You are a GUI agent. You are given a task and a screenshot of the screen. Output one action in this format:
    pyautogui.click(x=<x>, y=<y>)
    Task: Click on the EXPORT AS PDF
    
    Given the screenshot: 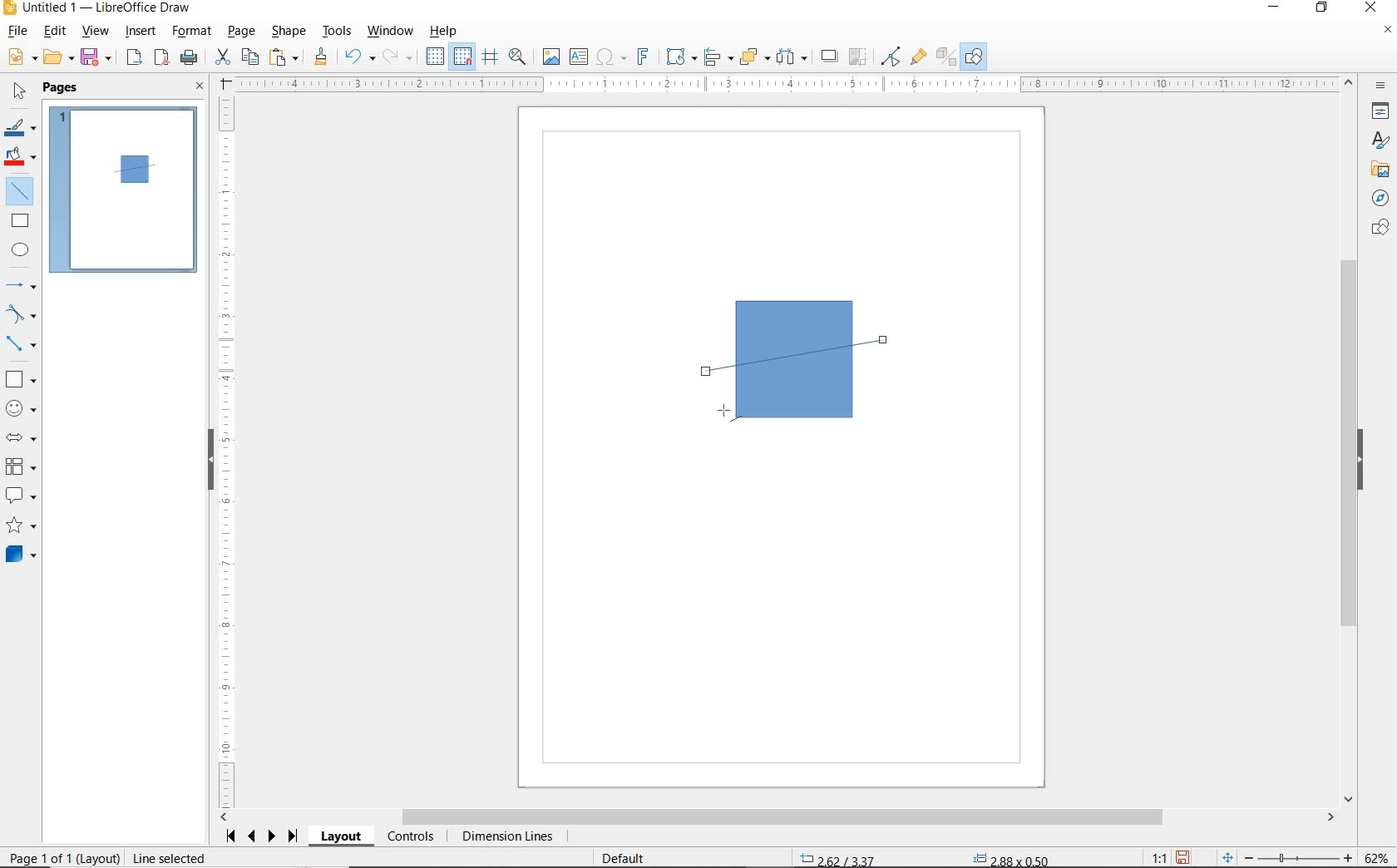 What is the action you would take?
    pyautogui.click(x=163, y=59)
    